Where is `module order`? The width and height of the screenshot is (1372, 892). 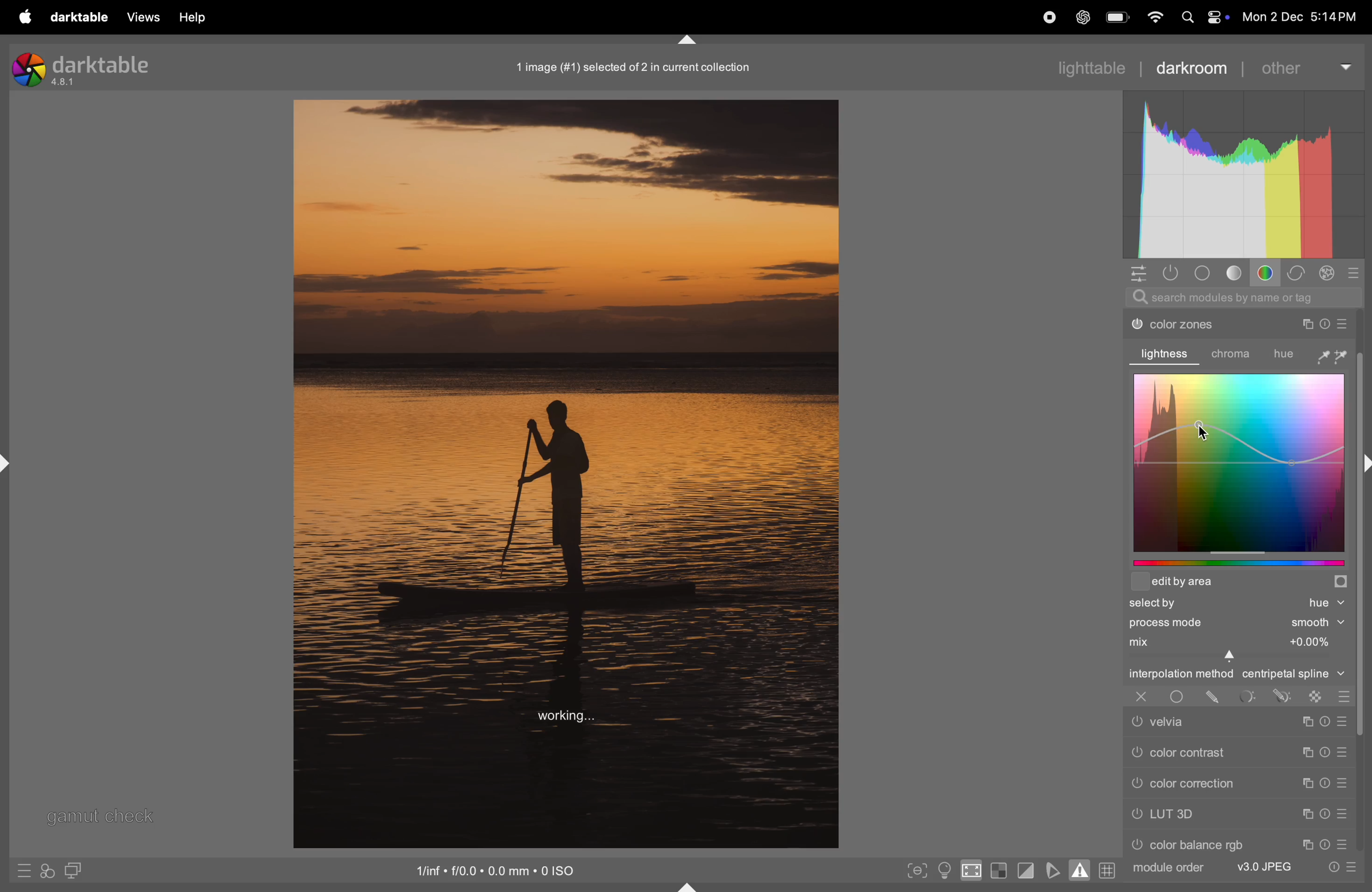 module order is located at coordinates (1169, 871).